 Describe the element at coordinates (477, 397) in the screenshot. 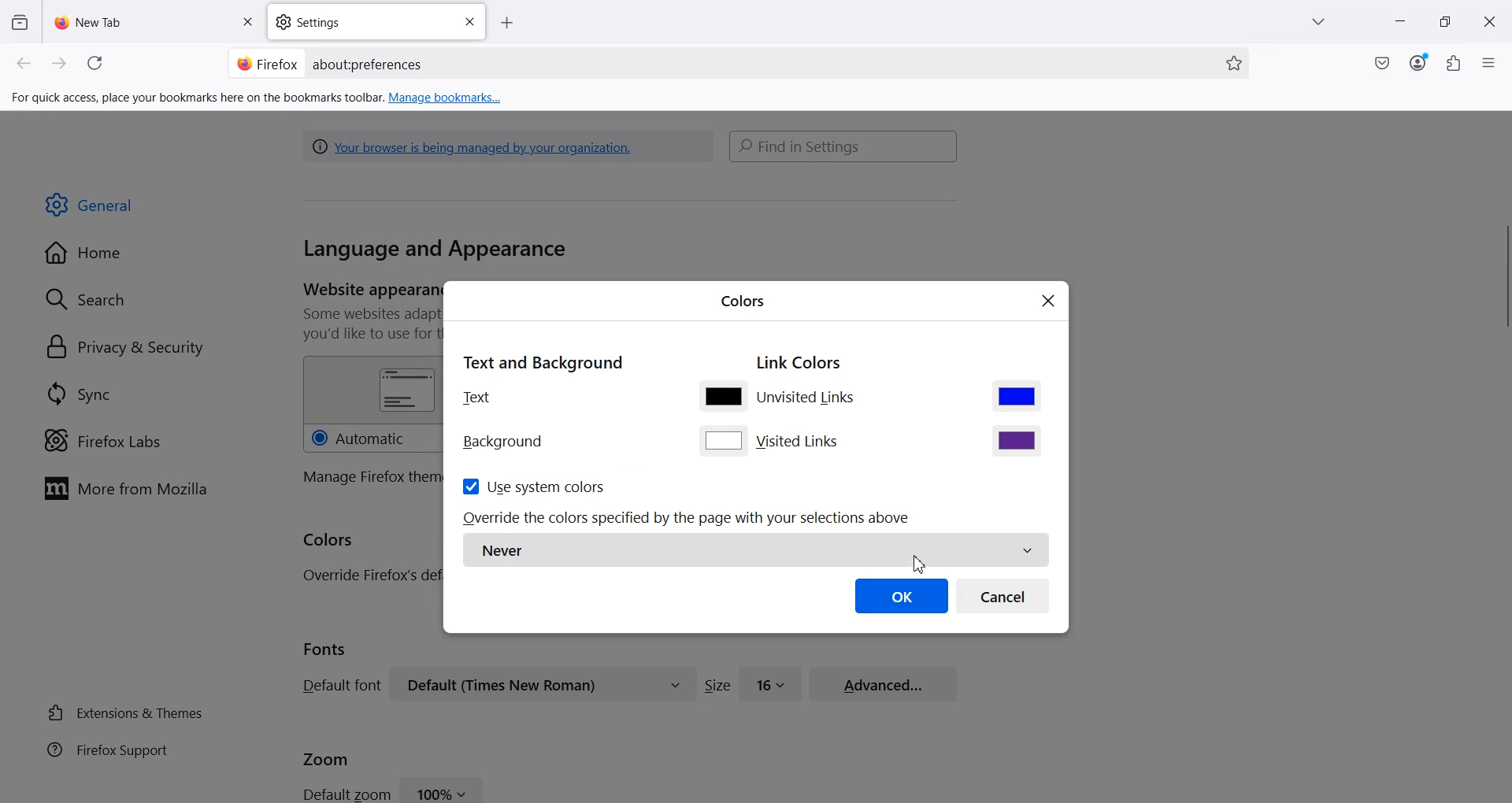

I see `Text` at that location.